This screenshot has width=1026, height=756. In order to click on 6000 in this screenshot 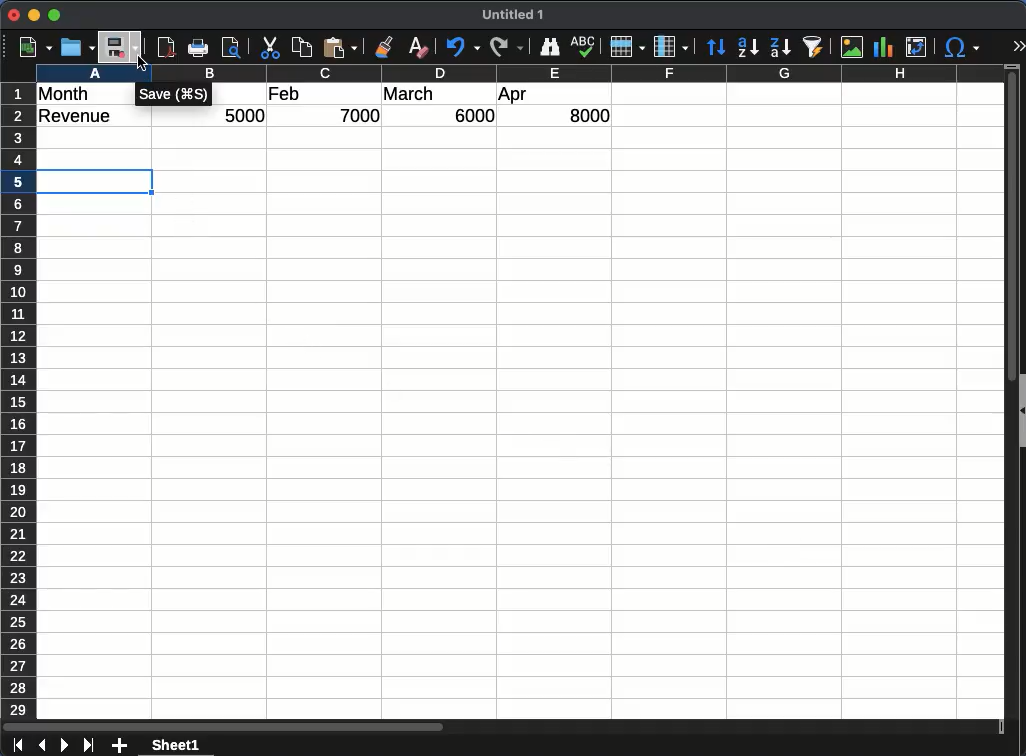, I will do `click(469, 116)`.